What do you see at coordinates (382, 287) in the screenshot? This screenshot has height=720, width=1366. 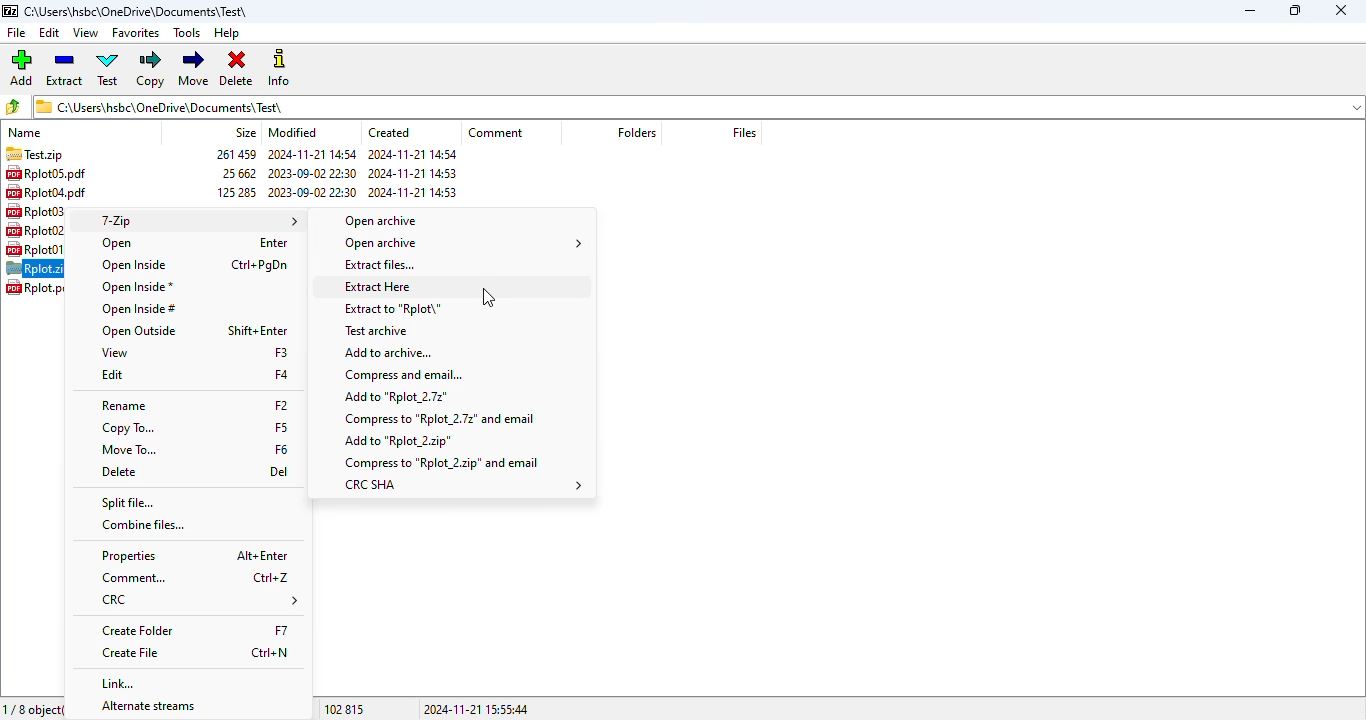 I see `extract here` at bounding box center [382, 287].